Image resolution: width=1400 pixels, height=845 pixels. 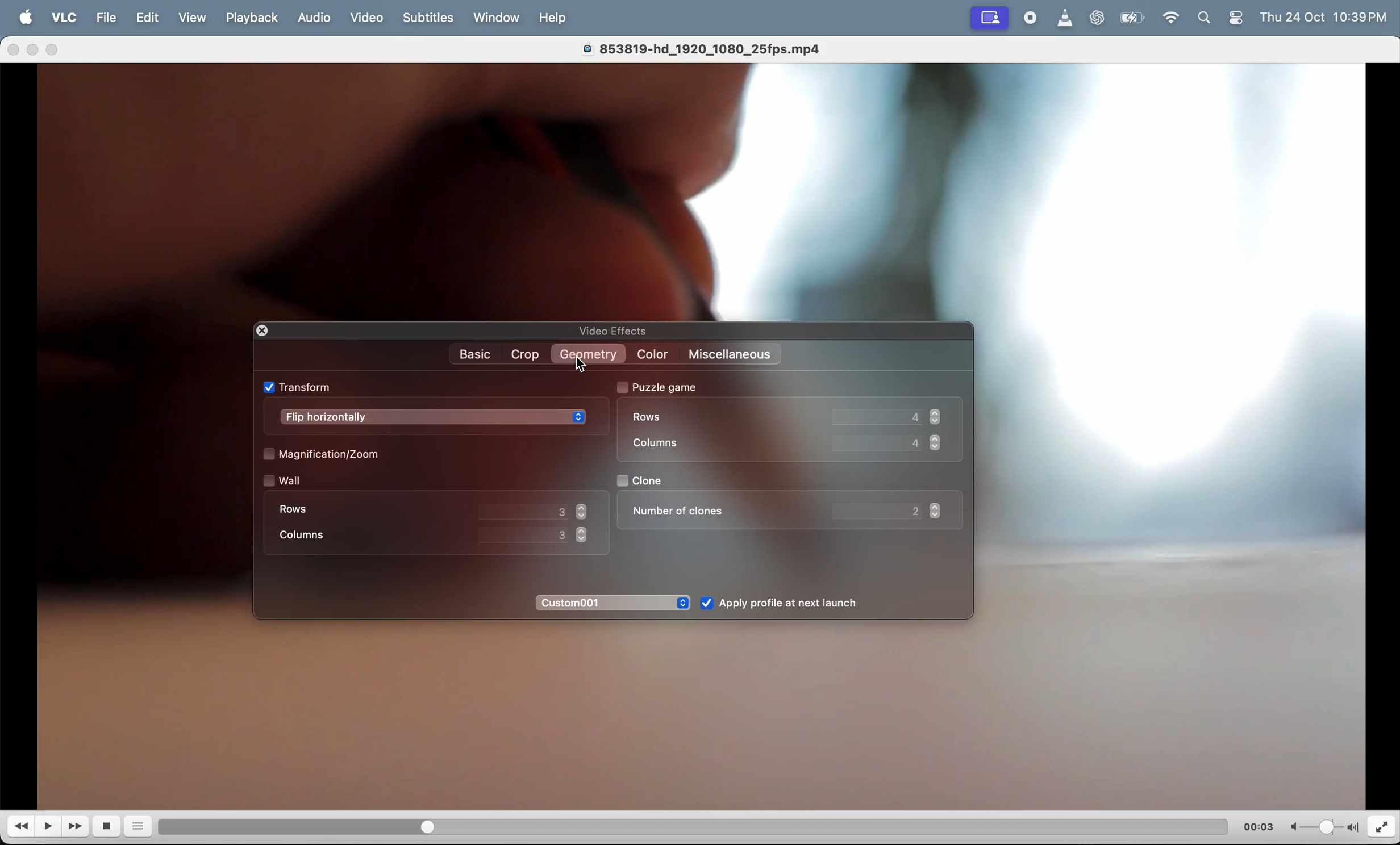 I want to click on video, so click(x=367, y=15).